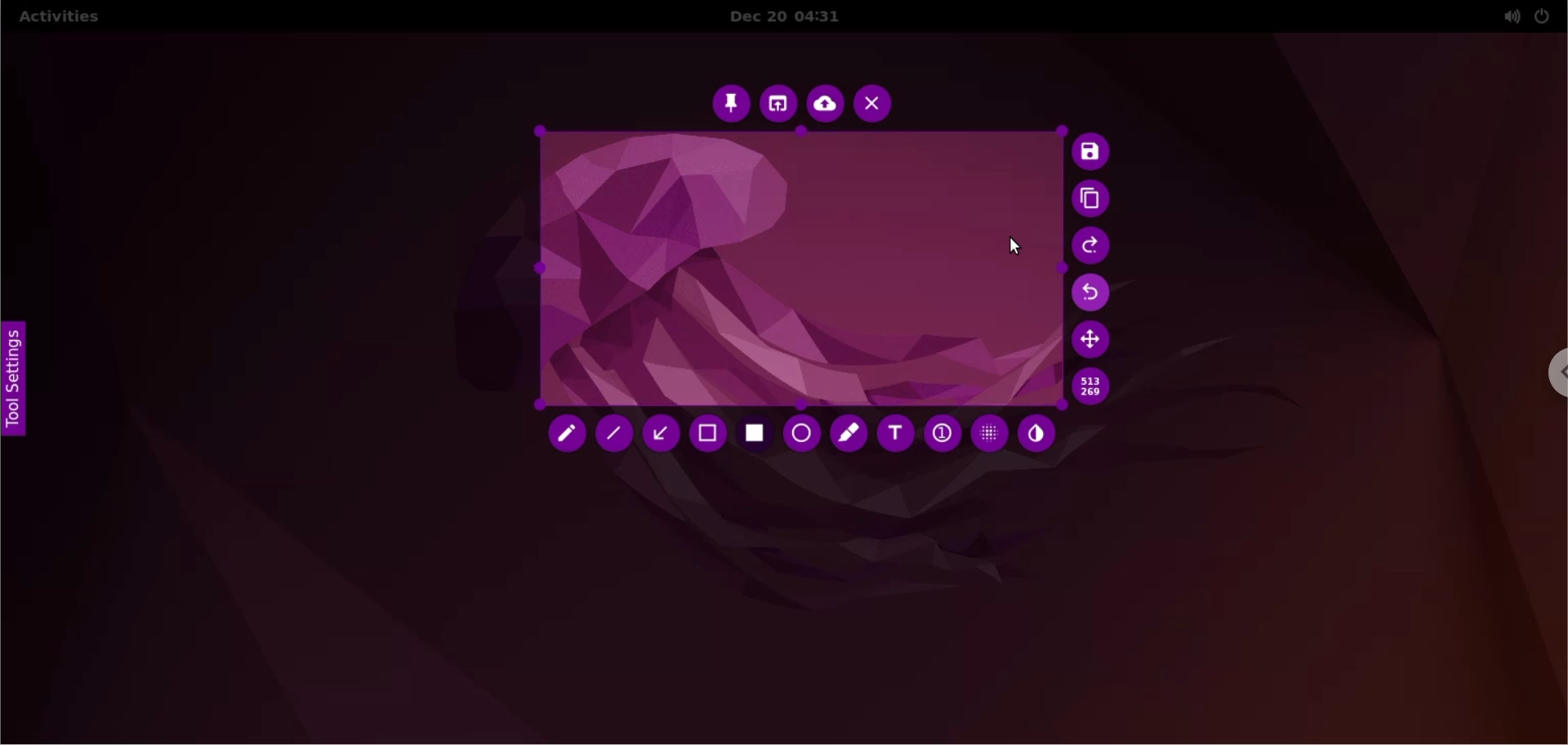  Describe the element at coordinates (614, 433) in the screenshot. I see `line tool` at that location.